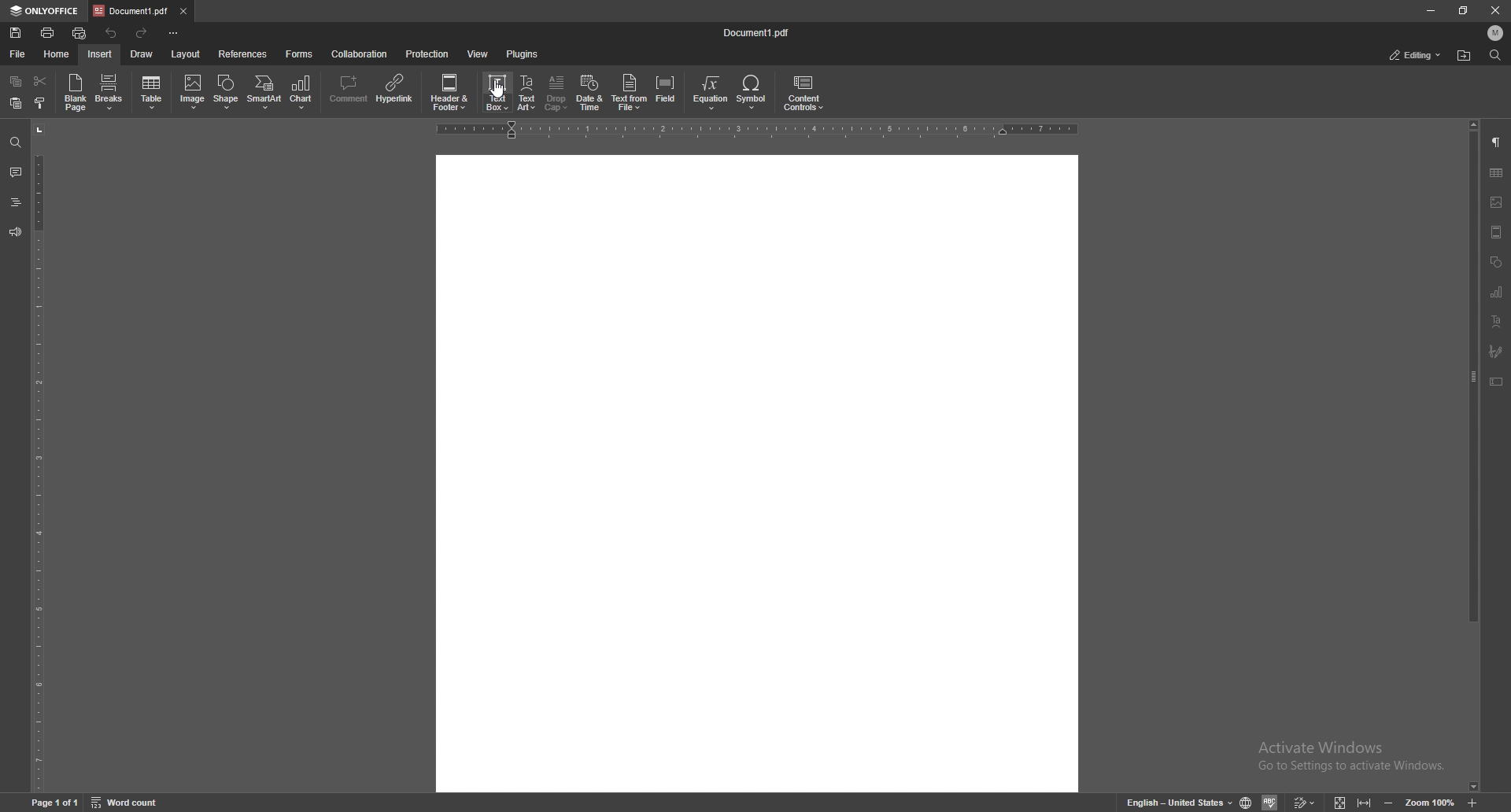 The width and height of the screenshot is (1511, 812). What do you see at coordinates (40, 81) in the screenshot?
I see `cut` at bounding box center [40, 81].